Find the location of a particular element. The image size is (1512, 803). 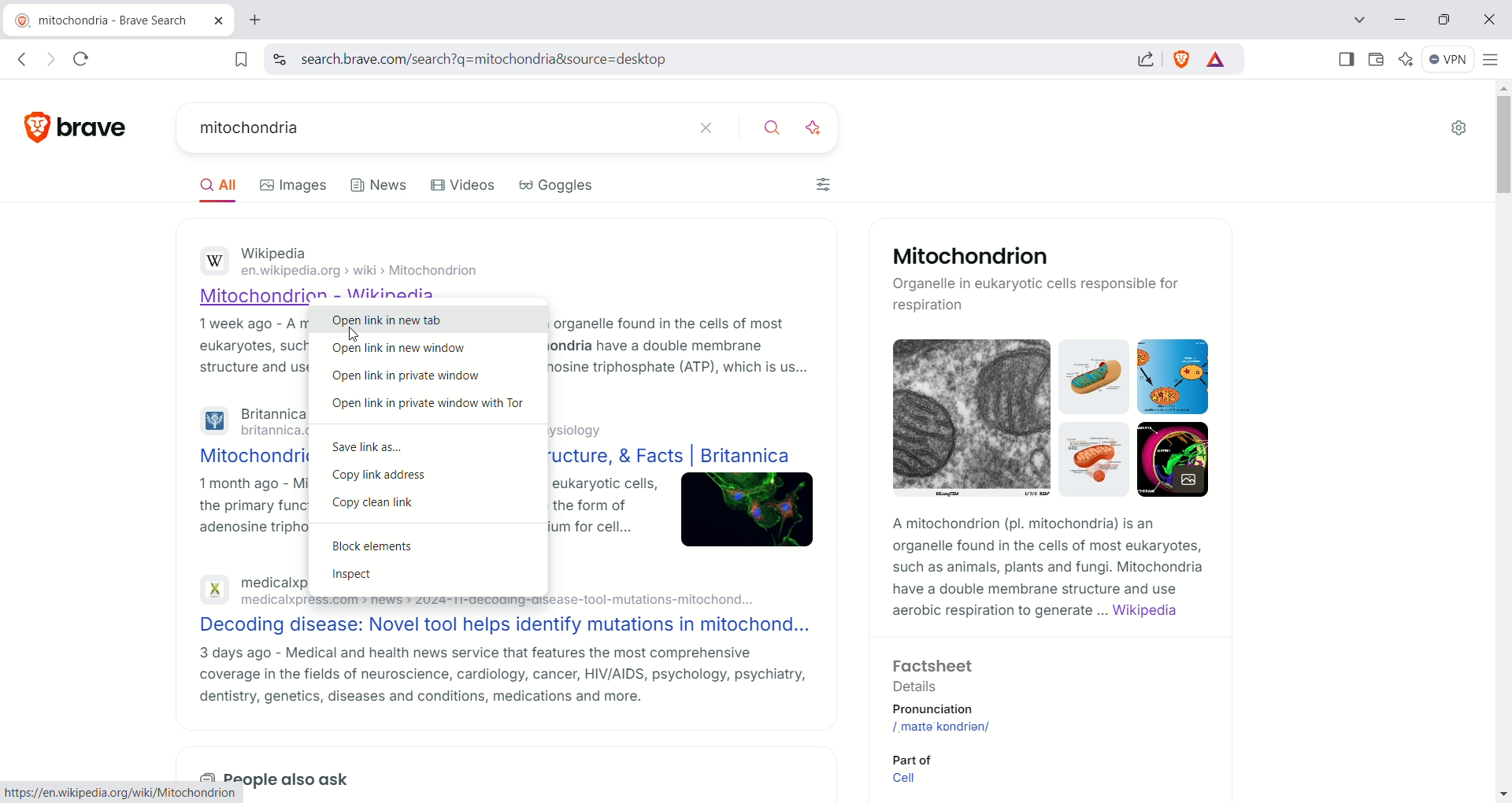

Part of is located at coordinates (913, 760).